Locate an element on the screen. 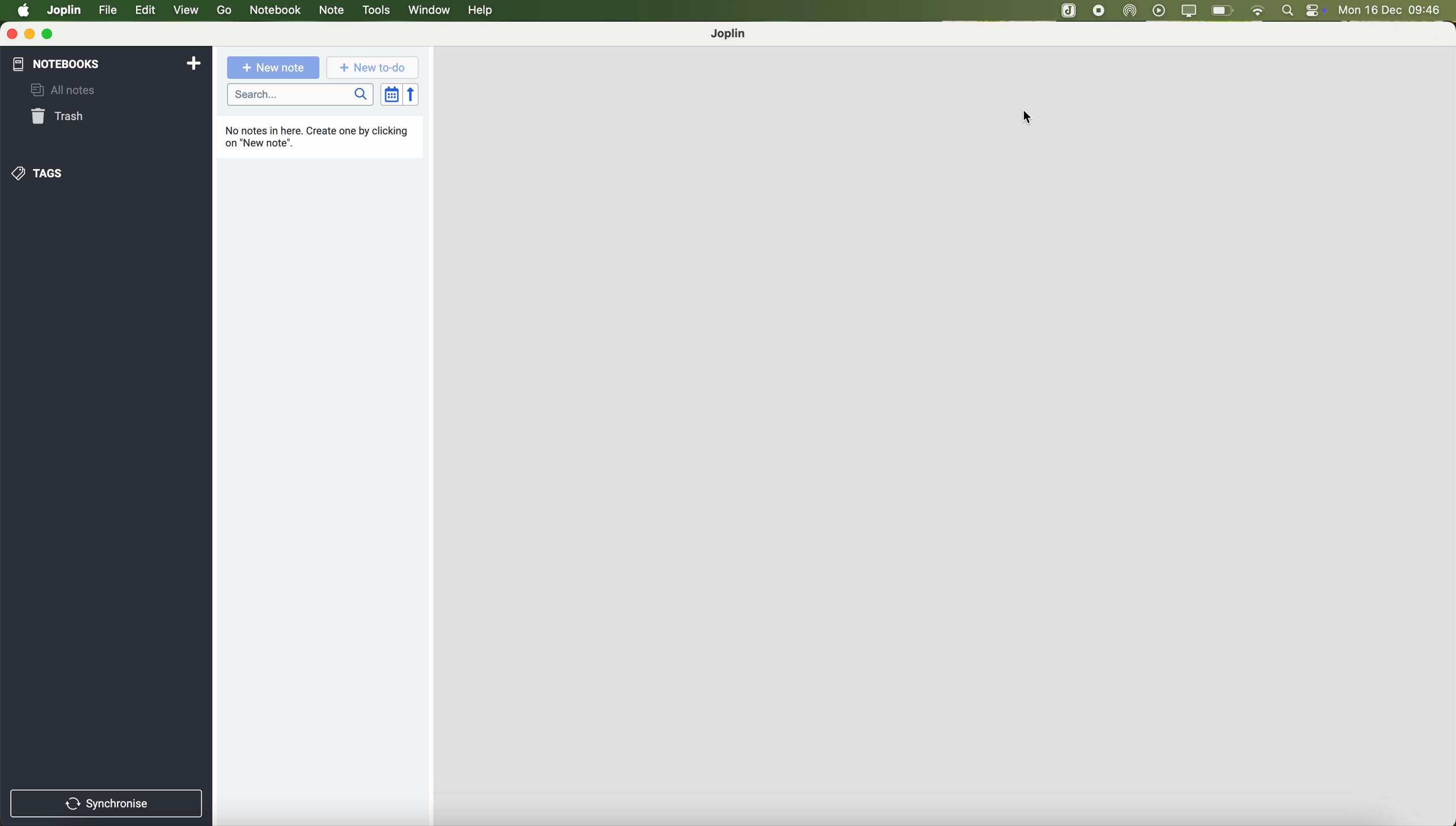 This screenshot has height=826, width=1456. edit is located at coordinates (147, 11).